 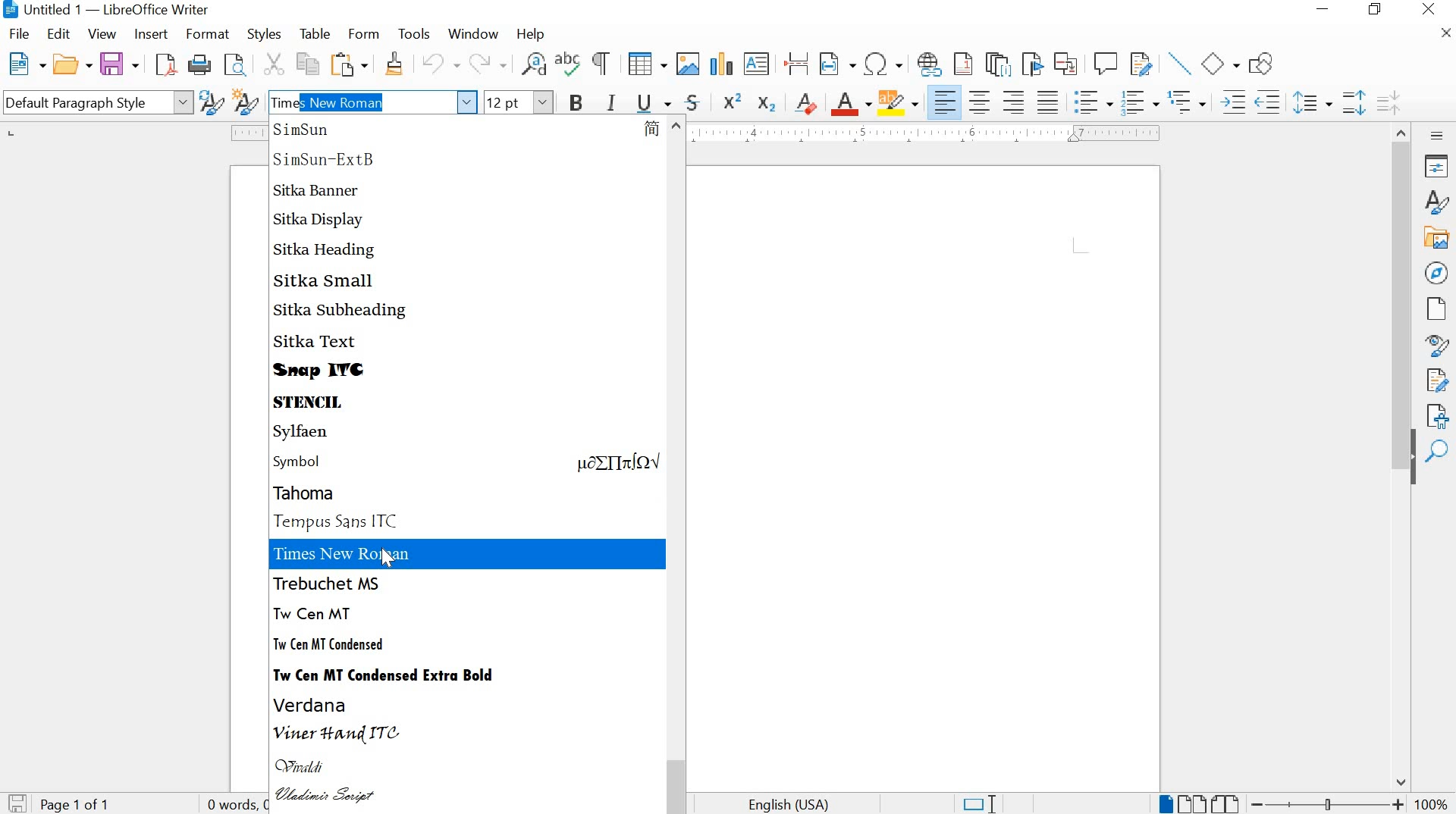 What do you see at coordinates (1434, 308) in the screenshot?
I see `PAGE` at bounding box center [1434, 308].